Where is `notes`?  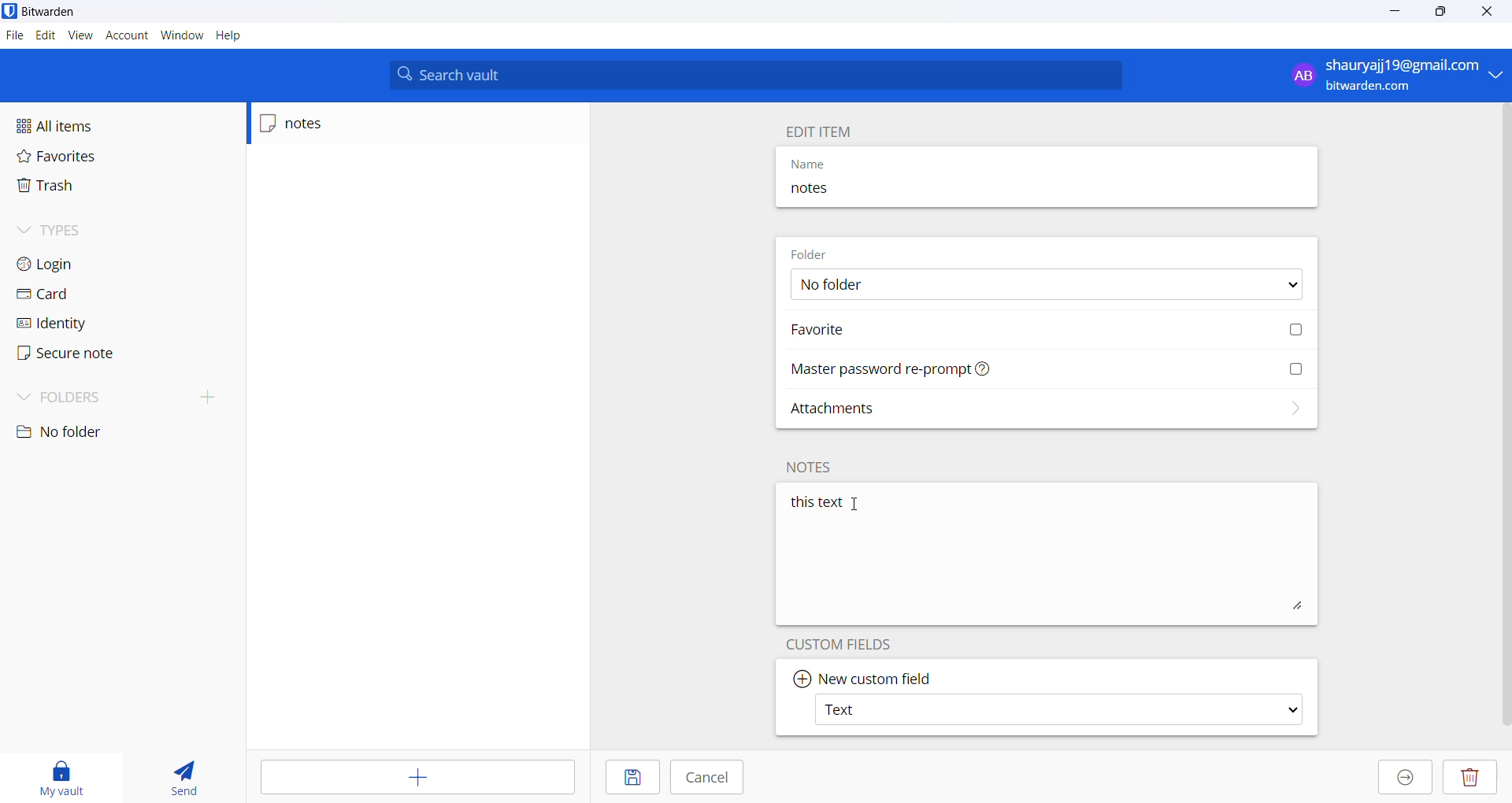 notes is located at coordinates (867, 194).